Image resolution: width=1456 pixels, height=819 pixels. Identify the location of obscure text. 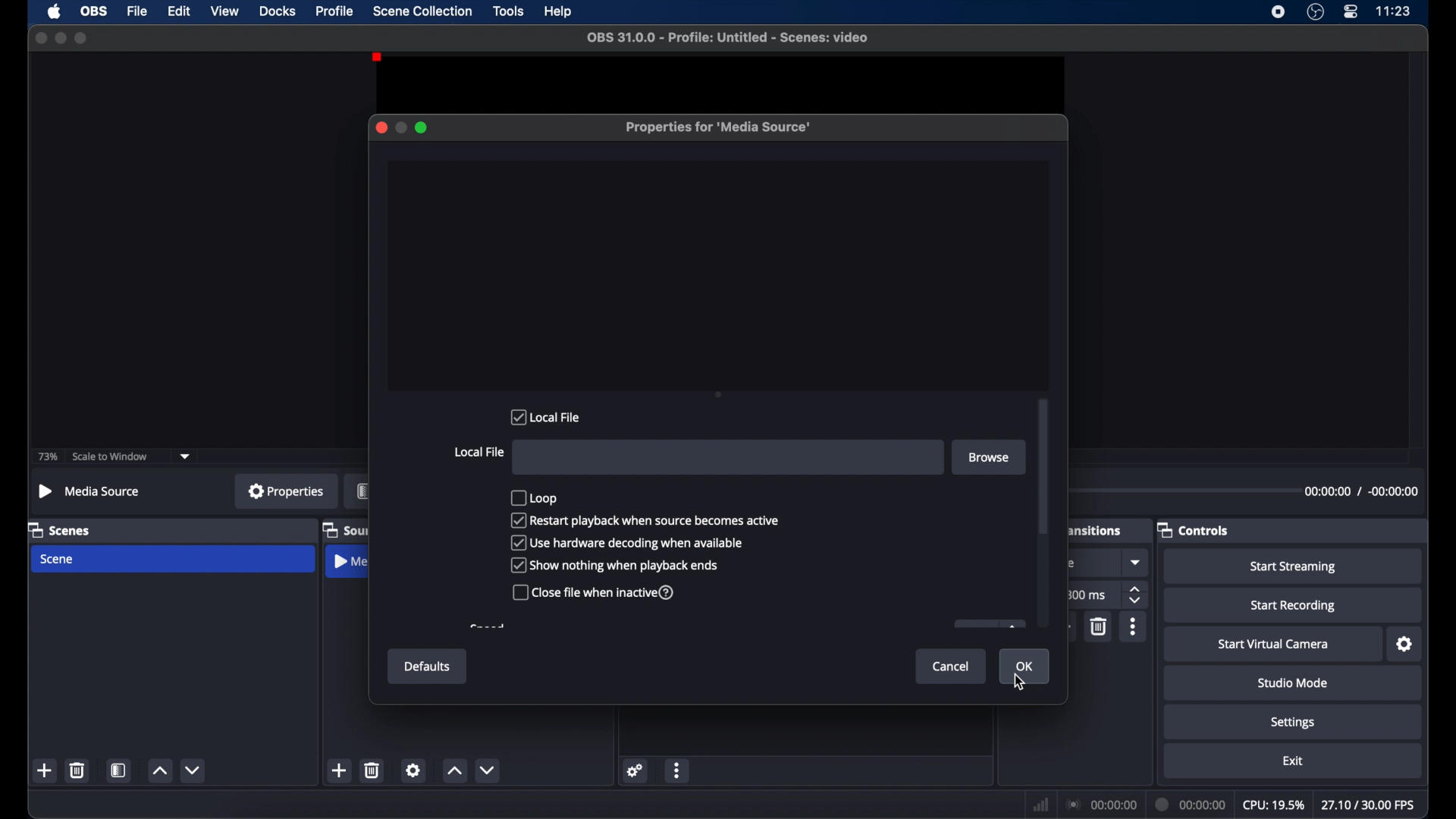
(1069, 529).